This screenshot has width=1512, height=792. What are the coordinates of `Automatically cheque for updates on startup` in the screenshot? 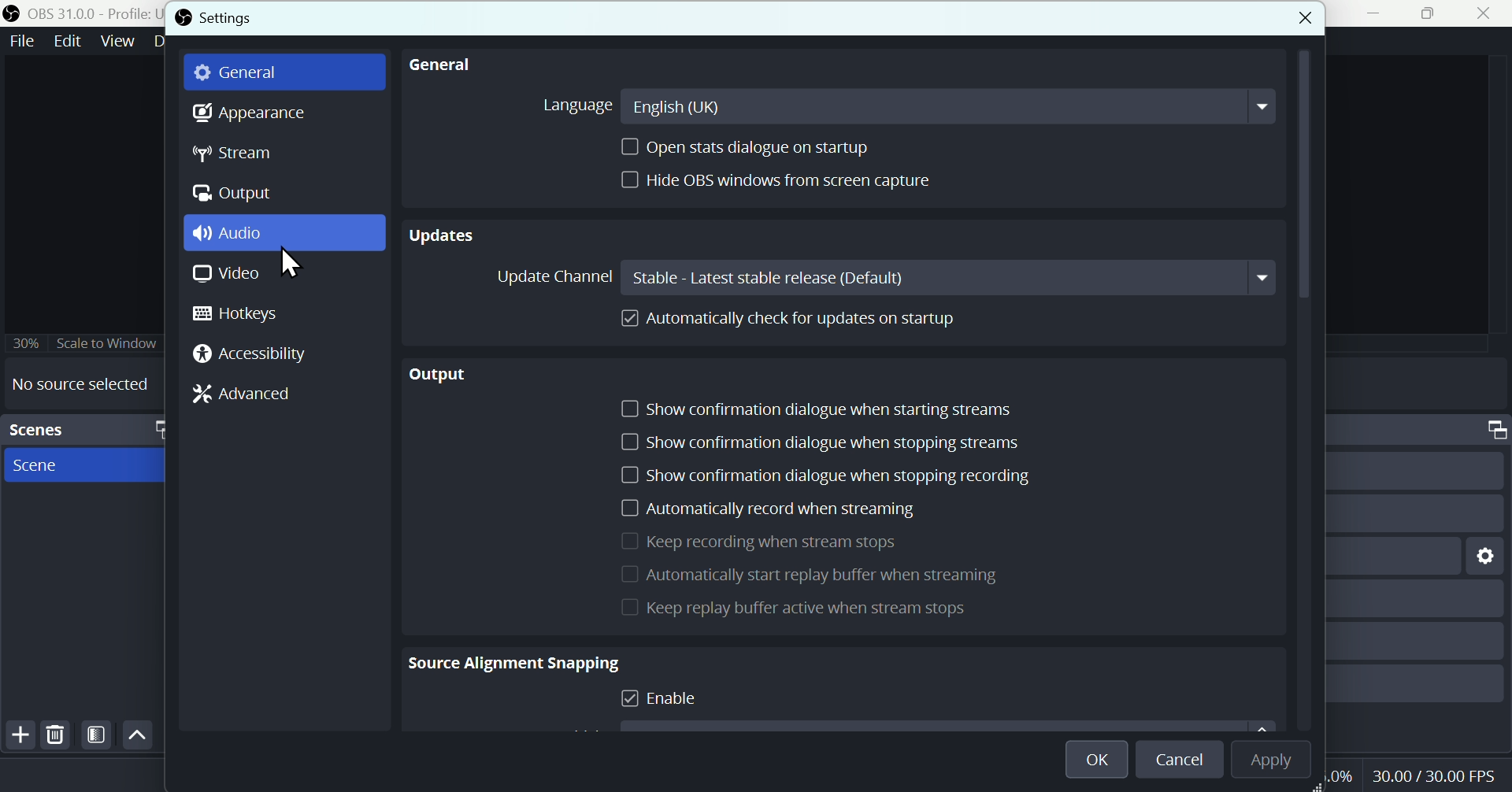 It's located at (794, 319).